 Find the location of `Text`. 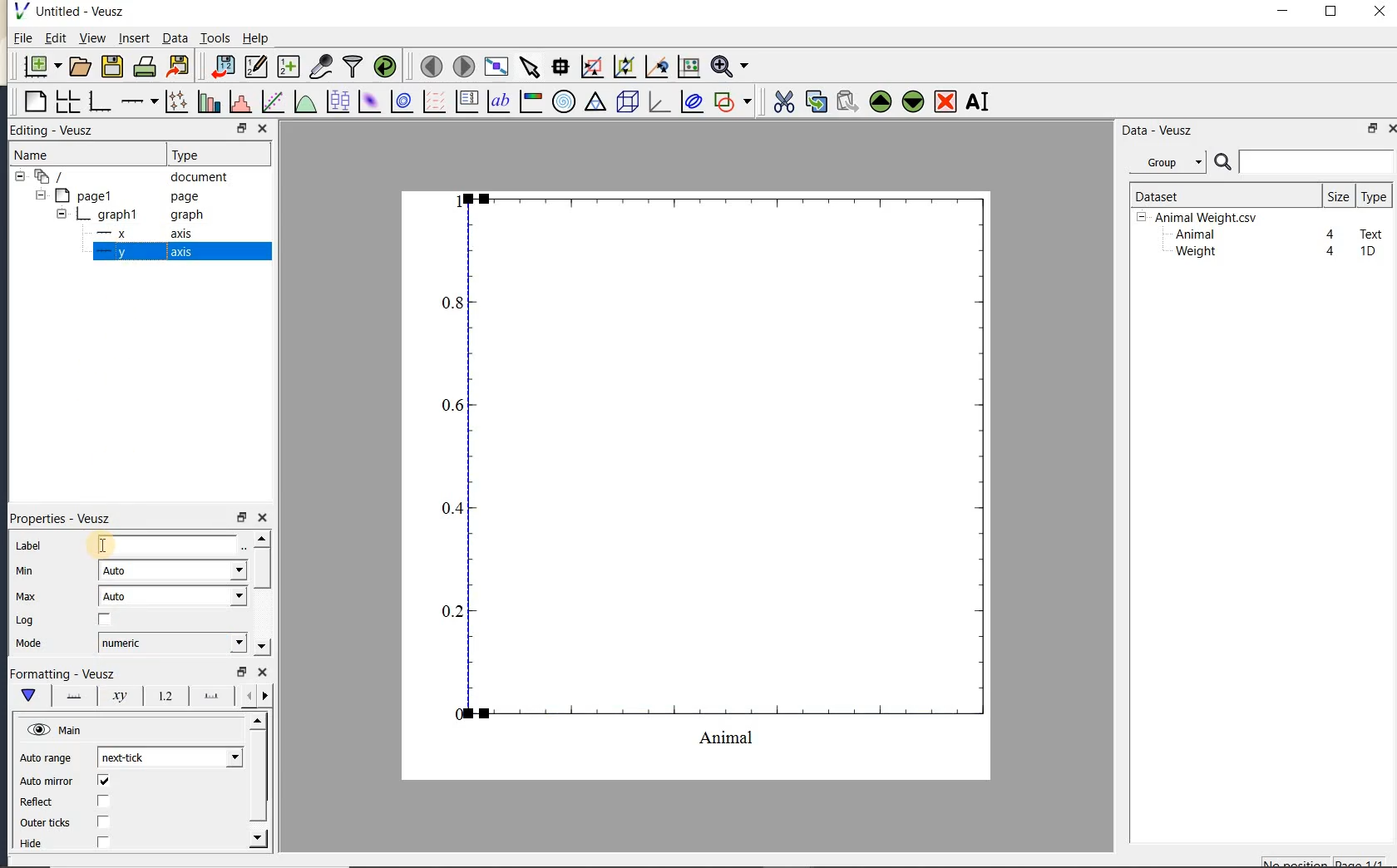

Text is located at coordinates (1372, 232).